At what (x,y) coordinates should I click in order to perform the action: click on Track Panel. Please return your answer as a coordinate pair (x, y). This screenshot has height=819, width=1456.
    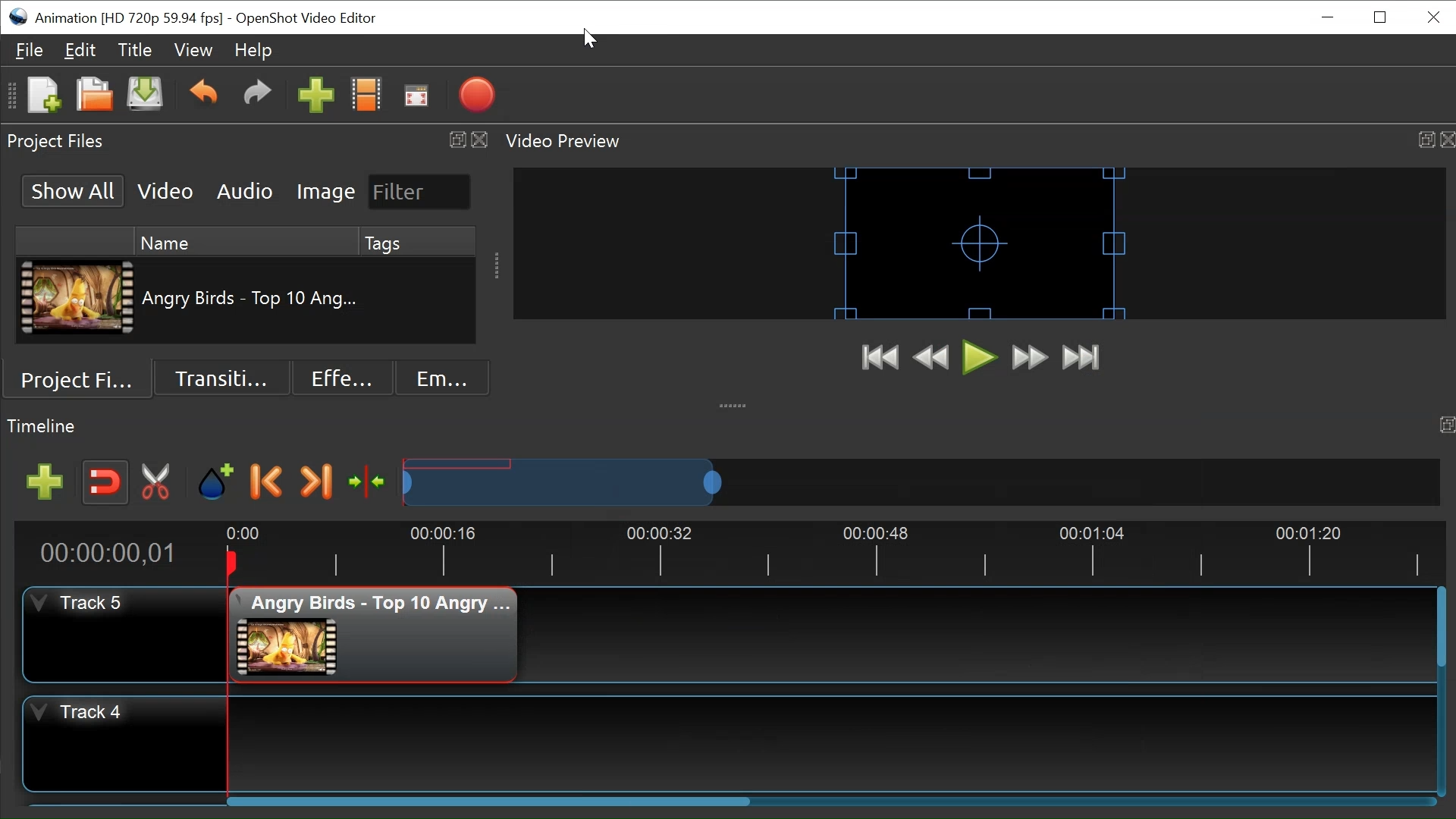
    Looking at the image, I should click on (832, 743).